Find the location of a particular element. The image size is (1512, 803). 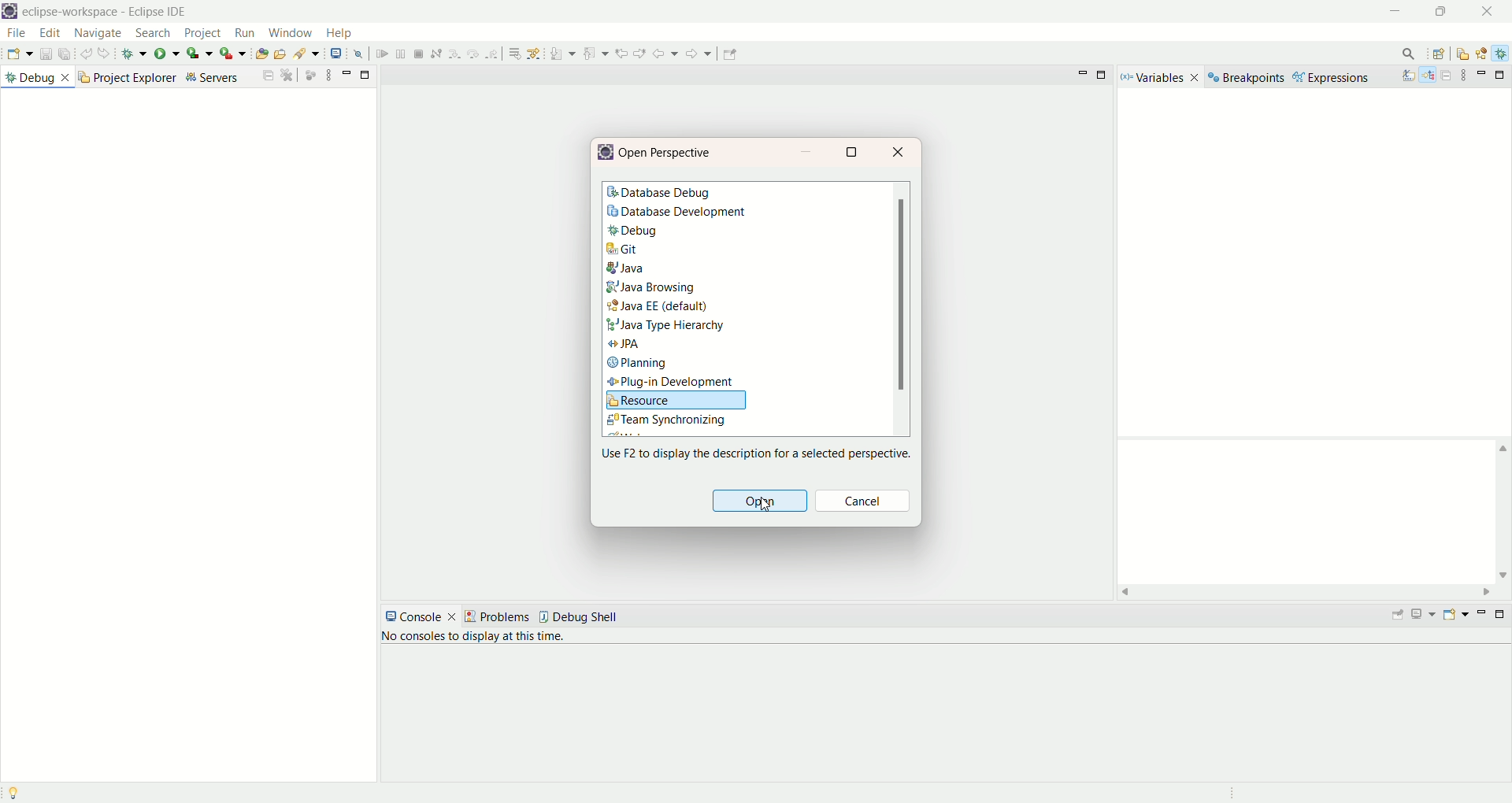

step into is located at coordinates (568, 54).